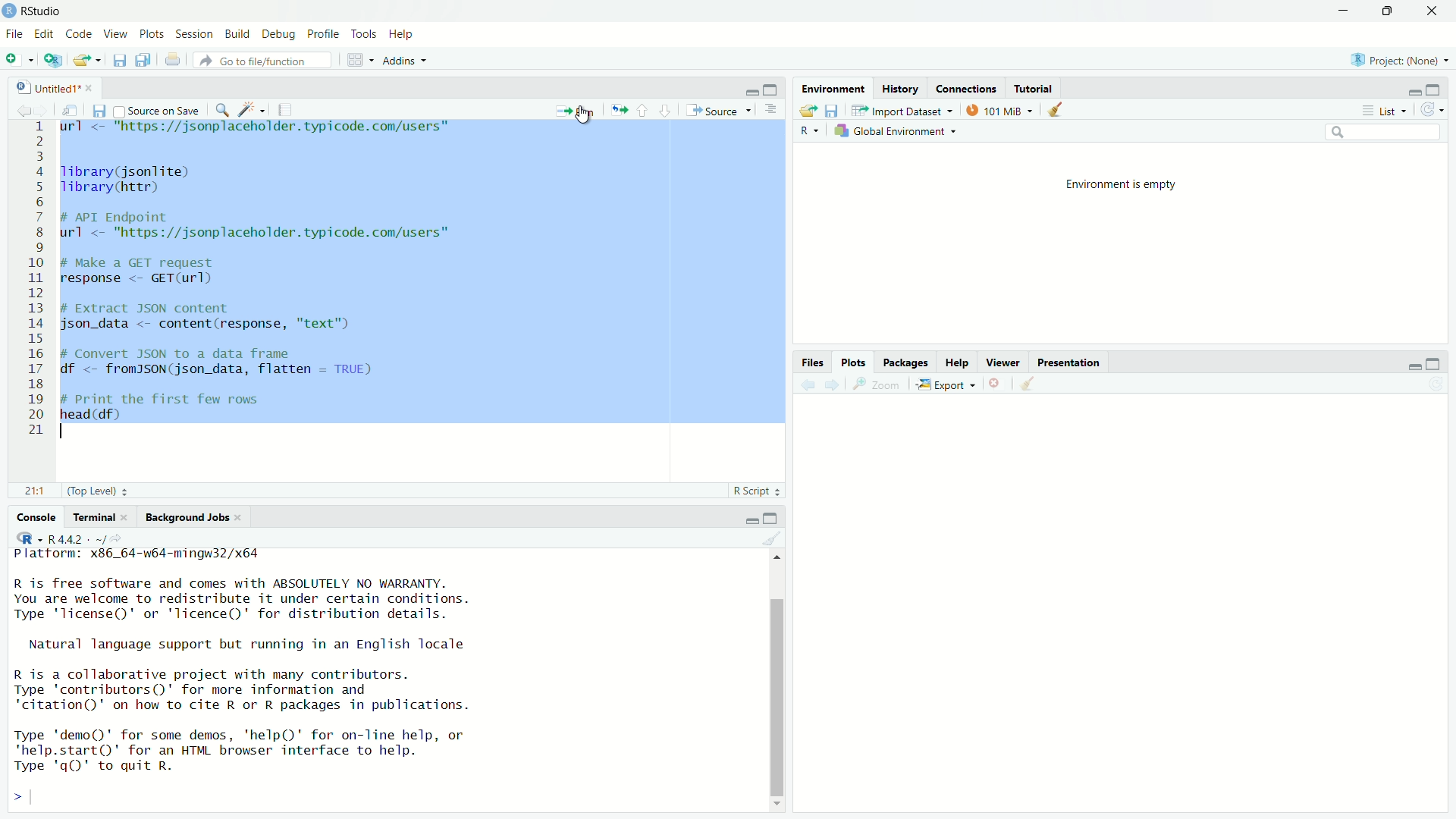  Describe the element at coordinates (779, 681) in the screenshot. I see `Scroll` at that location.